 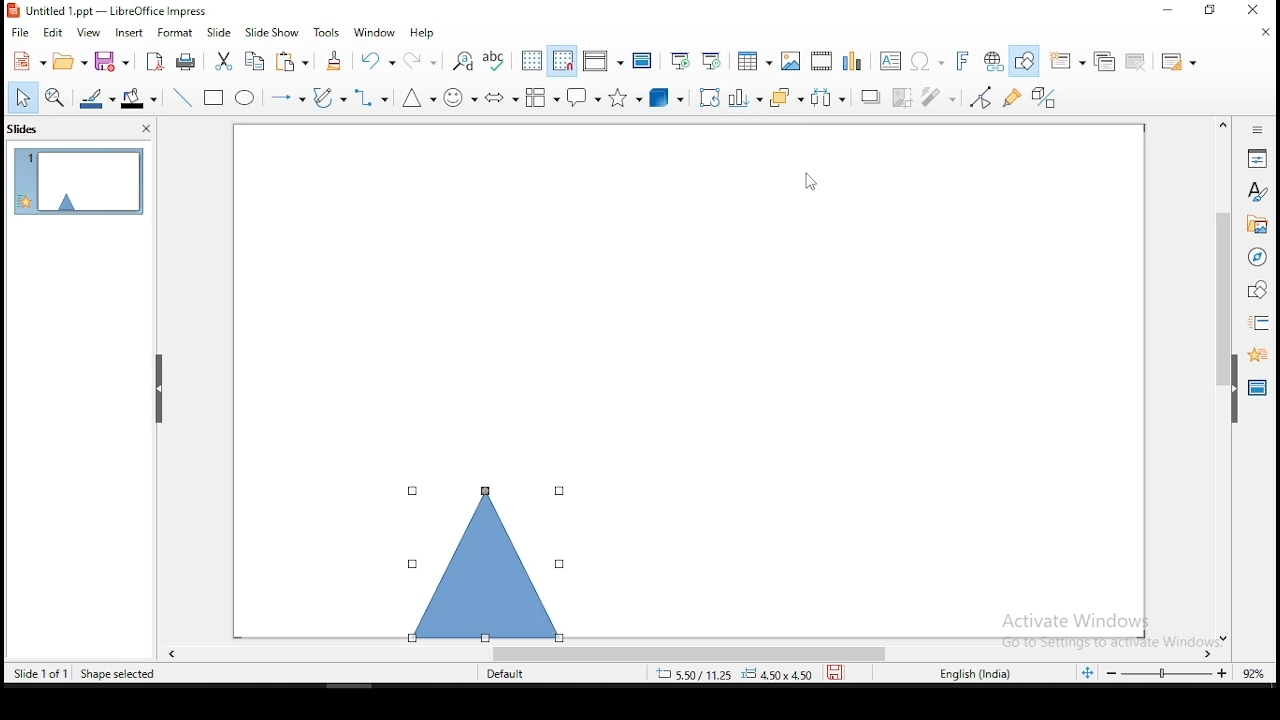 I want to click on acrobat as pdf, so click(x=155, y=61).